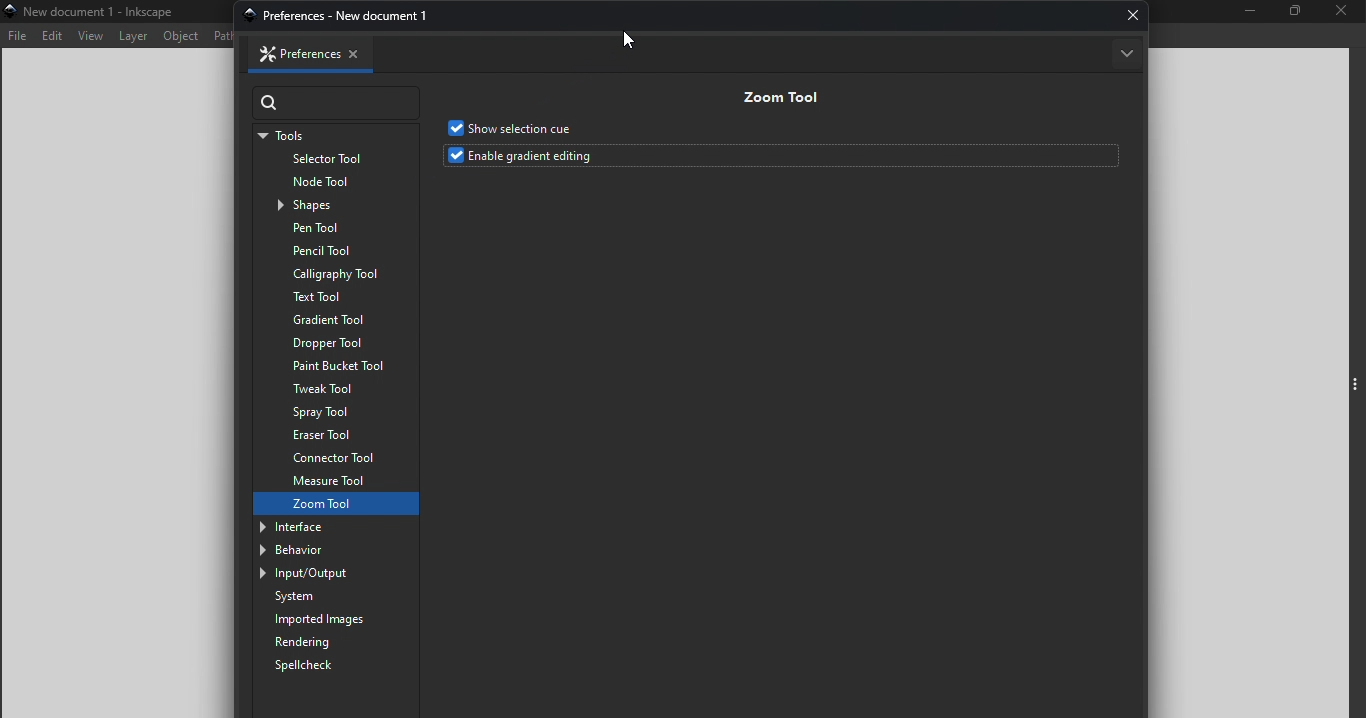  Describe the element at coordinates (346, 365) in the screenshot. I see `Paint bucket tool` at that location.